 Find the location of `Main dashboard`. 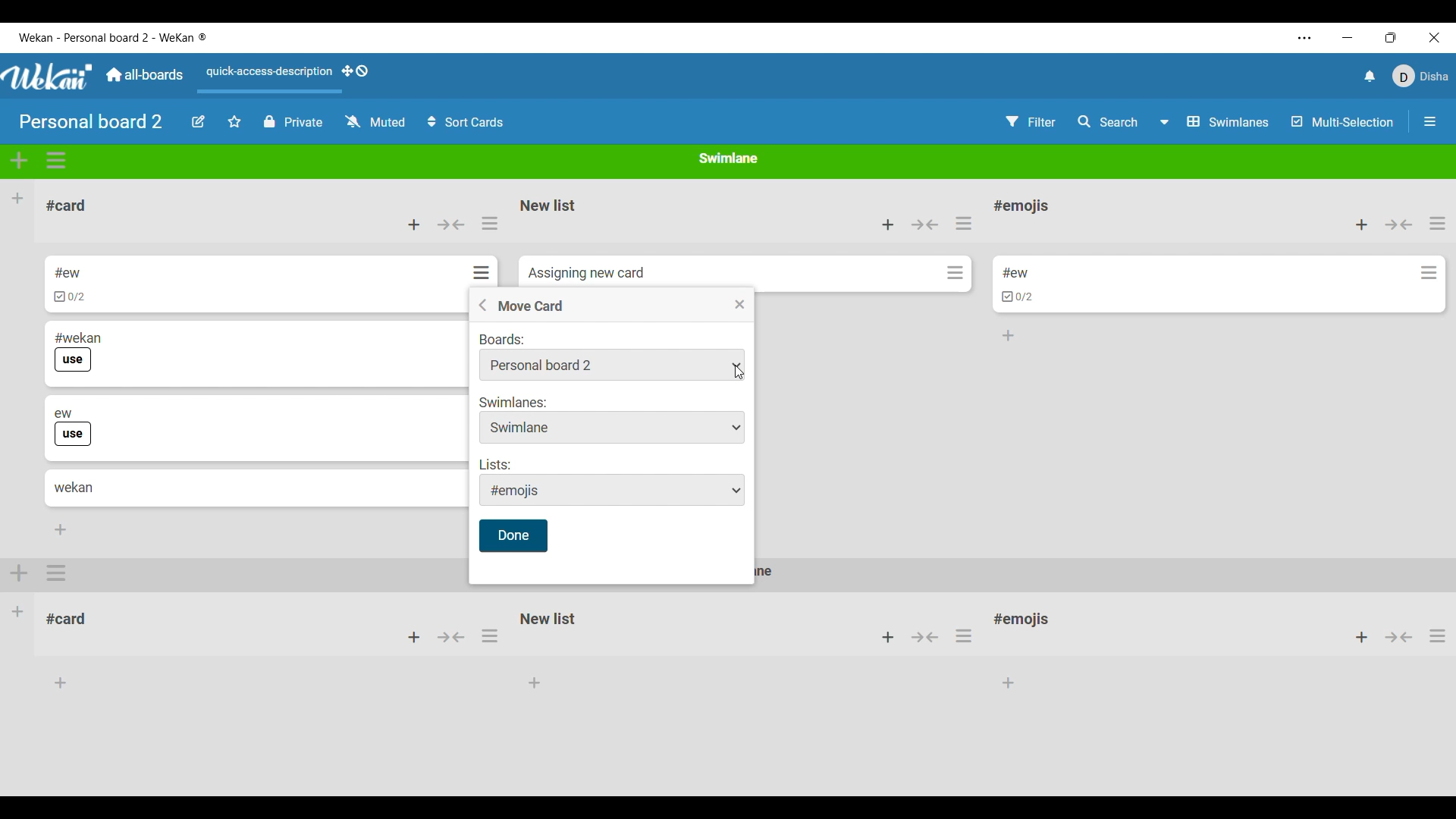

Main dashboard is located at coordinates (143, 74).